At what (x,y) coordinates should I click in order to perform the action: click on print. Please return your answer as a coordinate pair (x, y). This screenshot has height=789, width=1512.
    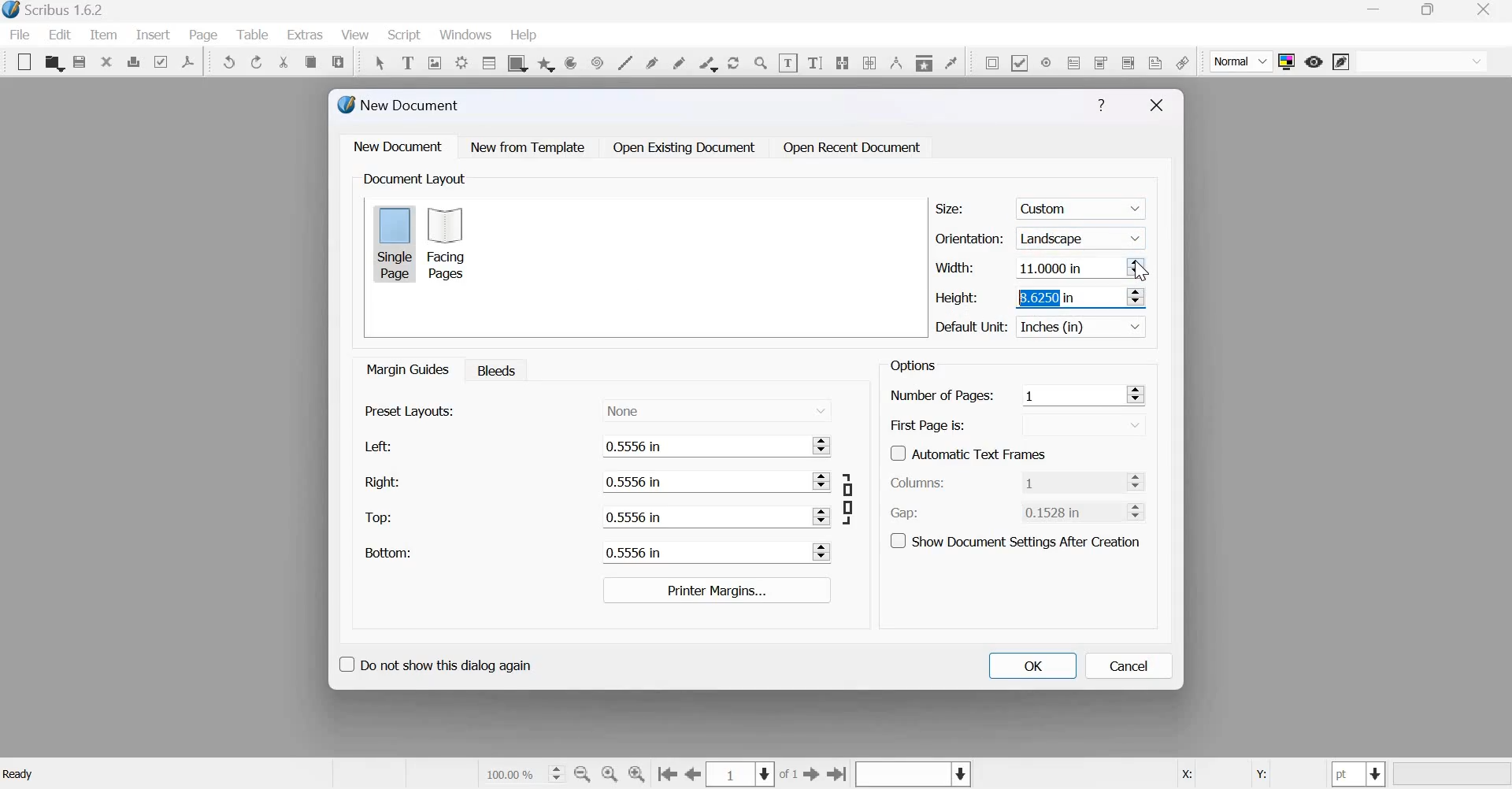
    Looking at the image, I should click on (133, 61).